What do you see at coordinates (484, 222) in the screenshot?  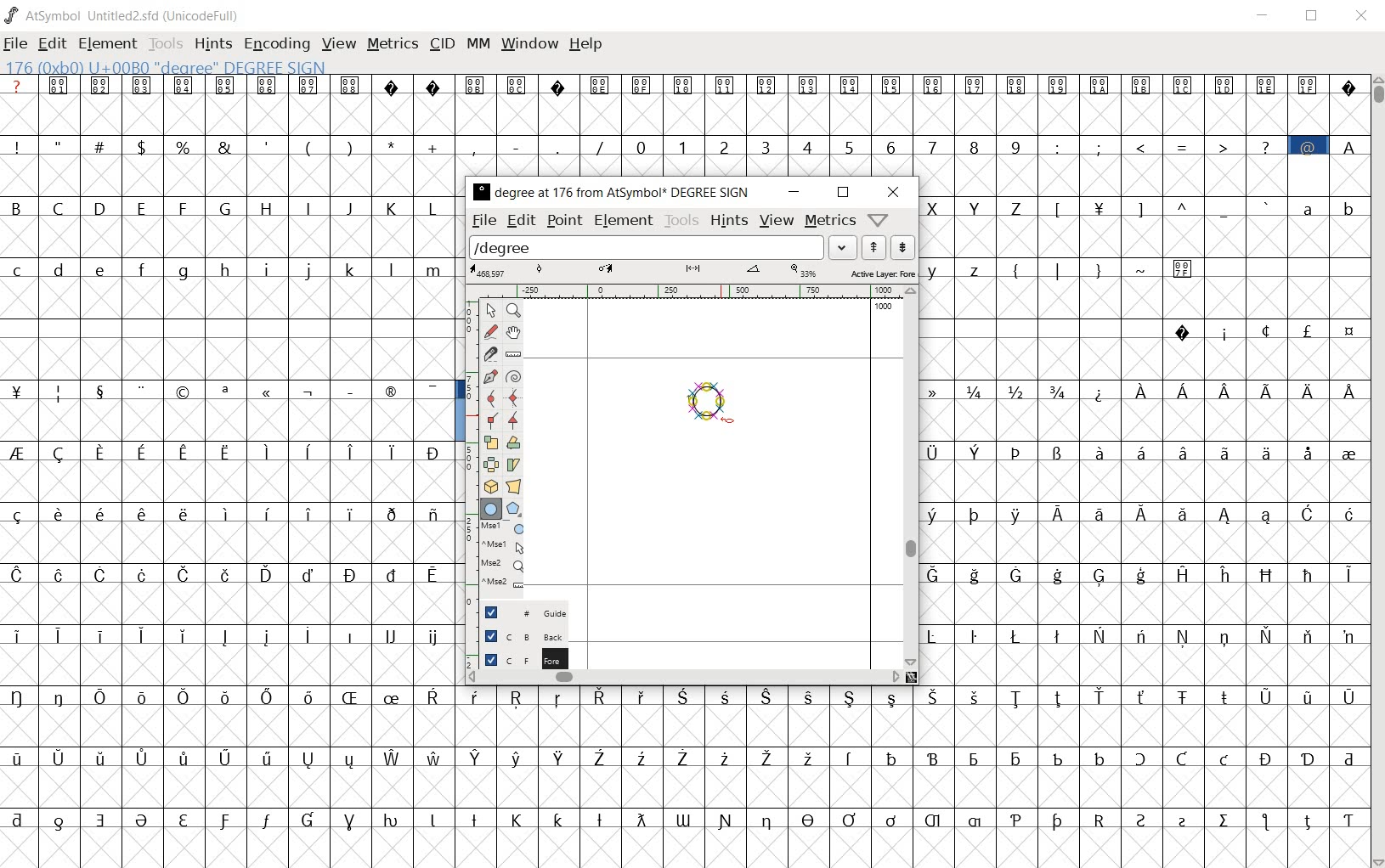 I see `file` at bounding box center [484, 222].